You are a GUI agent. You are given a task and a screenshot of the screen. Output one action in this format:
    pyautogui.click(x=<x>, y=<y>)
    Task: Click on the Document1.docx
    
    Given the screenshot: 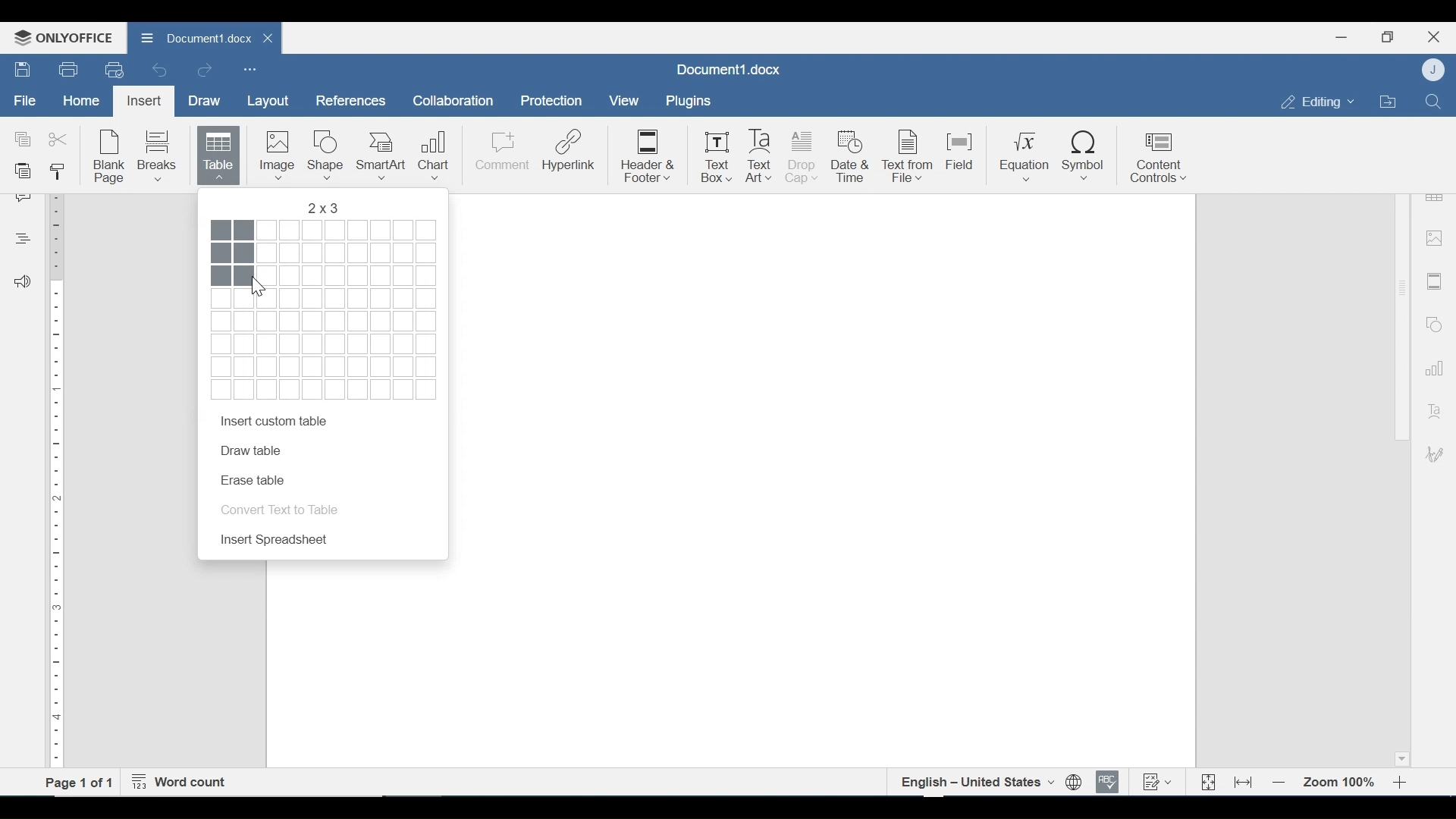 What is the action you would take?
    pyautogui.click(x=193, y=36)
    